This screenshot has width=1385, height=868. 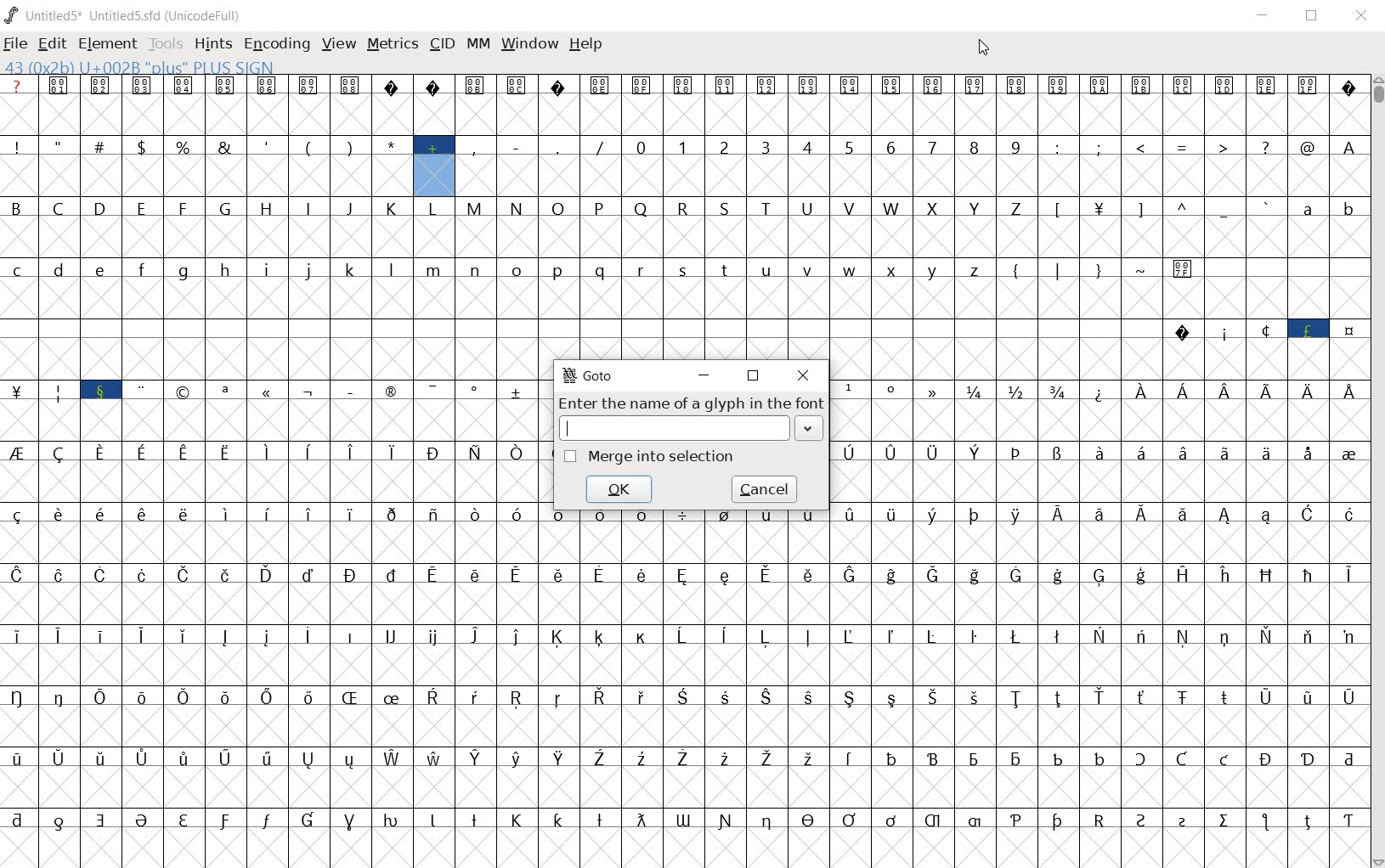 I want to click on file, so click(x=14, y=45).